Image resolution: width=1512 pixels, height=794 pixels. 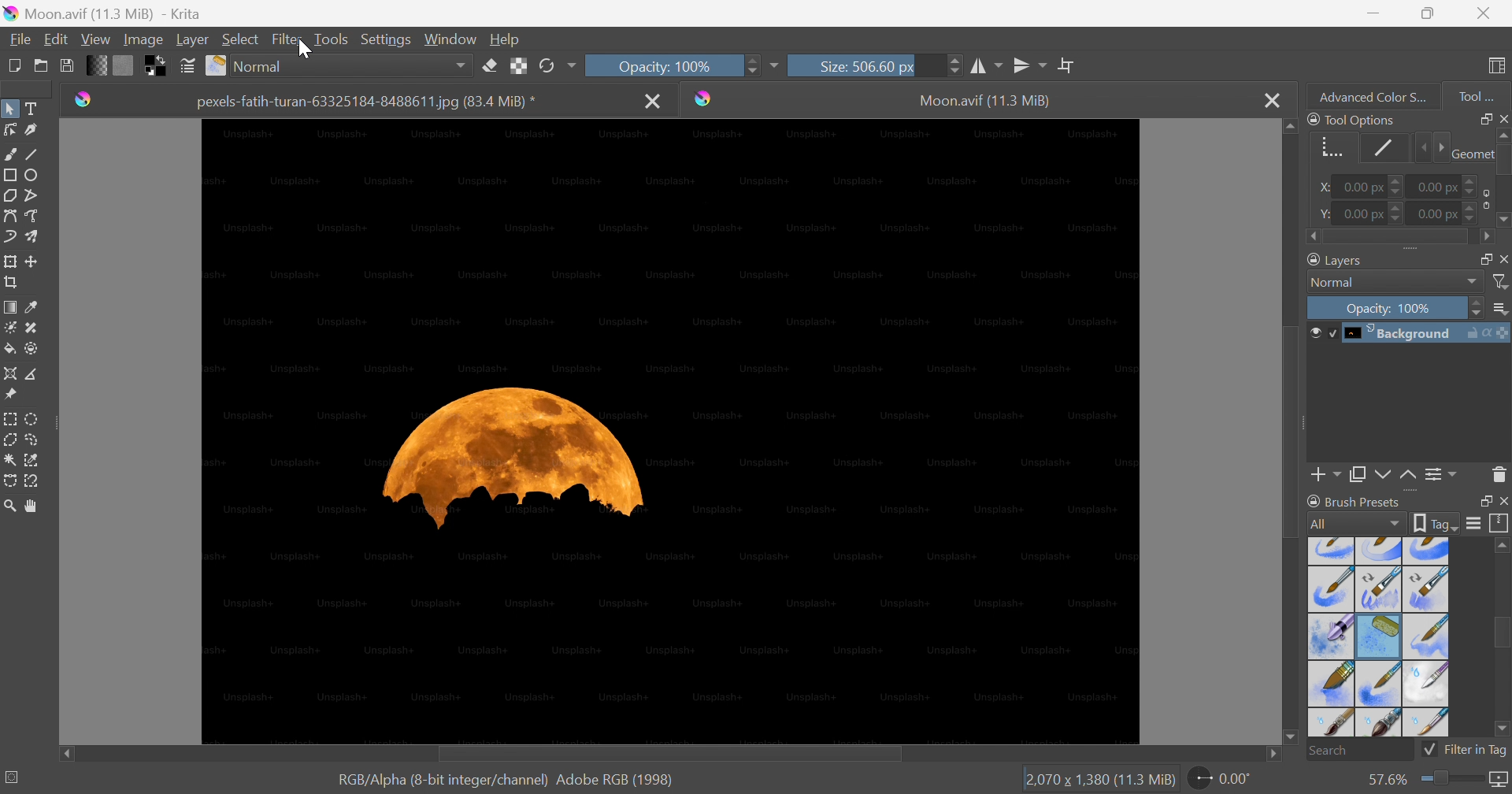 What do you see at coordinates (556, 66) in the screenshot?
I see `Reload original preset` at bounding box center [556, 66].